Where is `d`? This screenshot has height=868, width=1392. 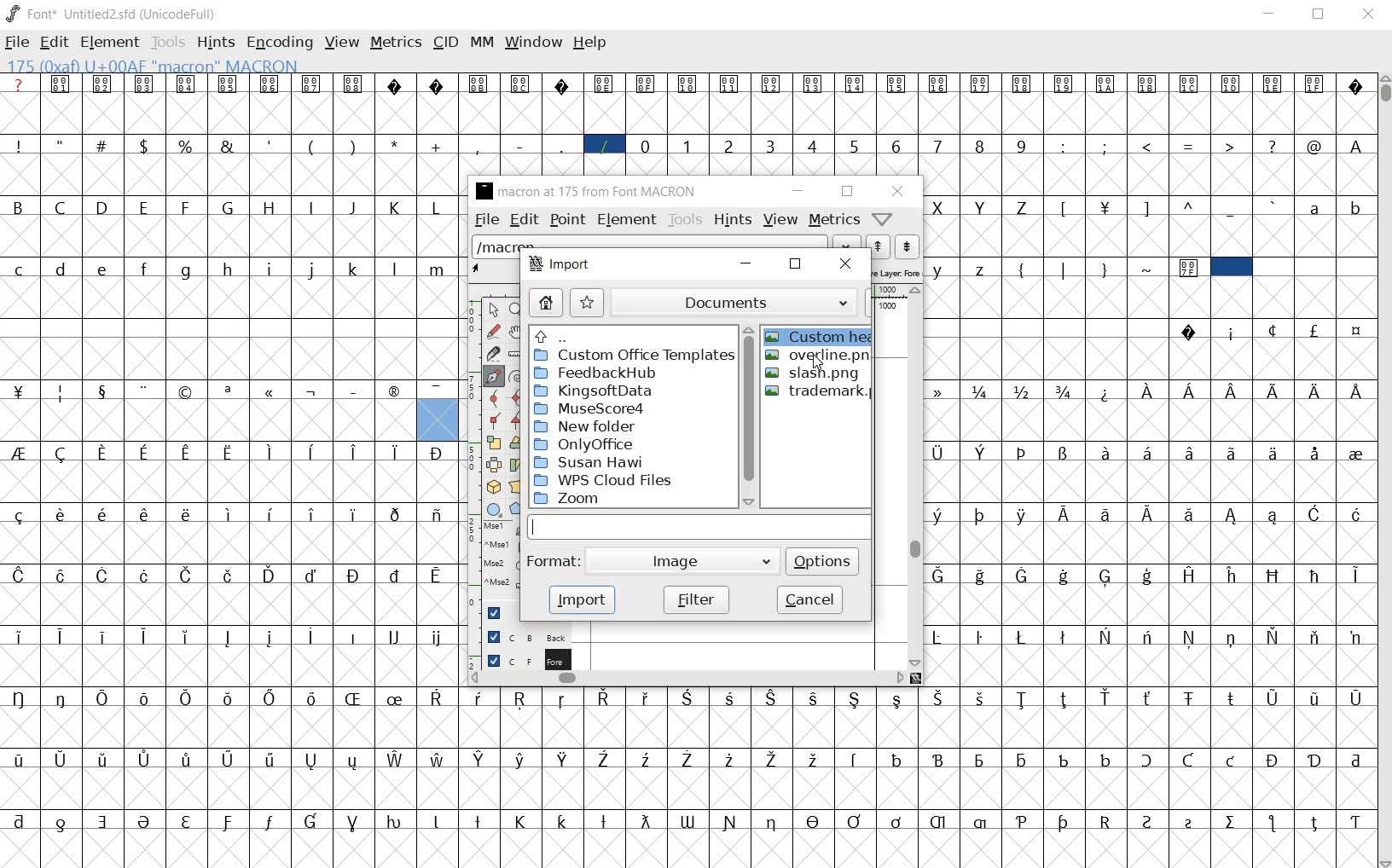
d is located at coordinates (61, 268).